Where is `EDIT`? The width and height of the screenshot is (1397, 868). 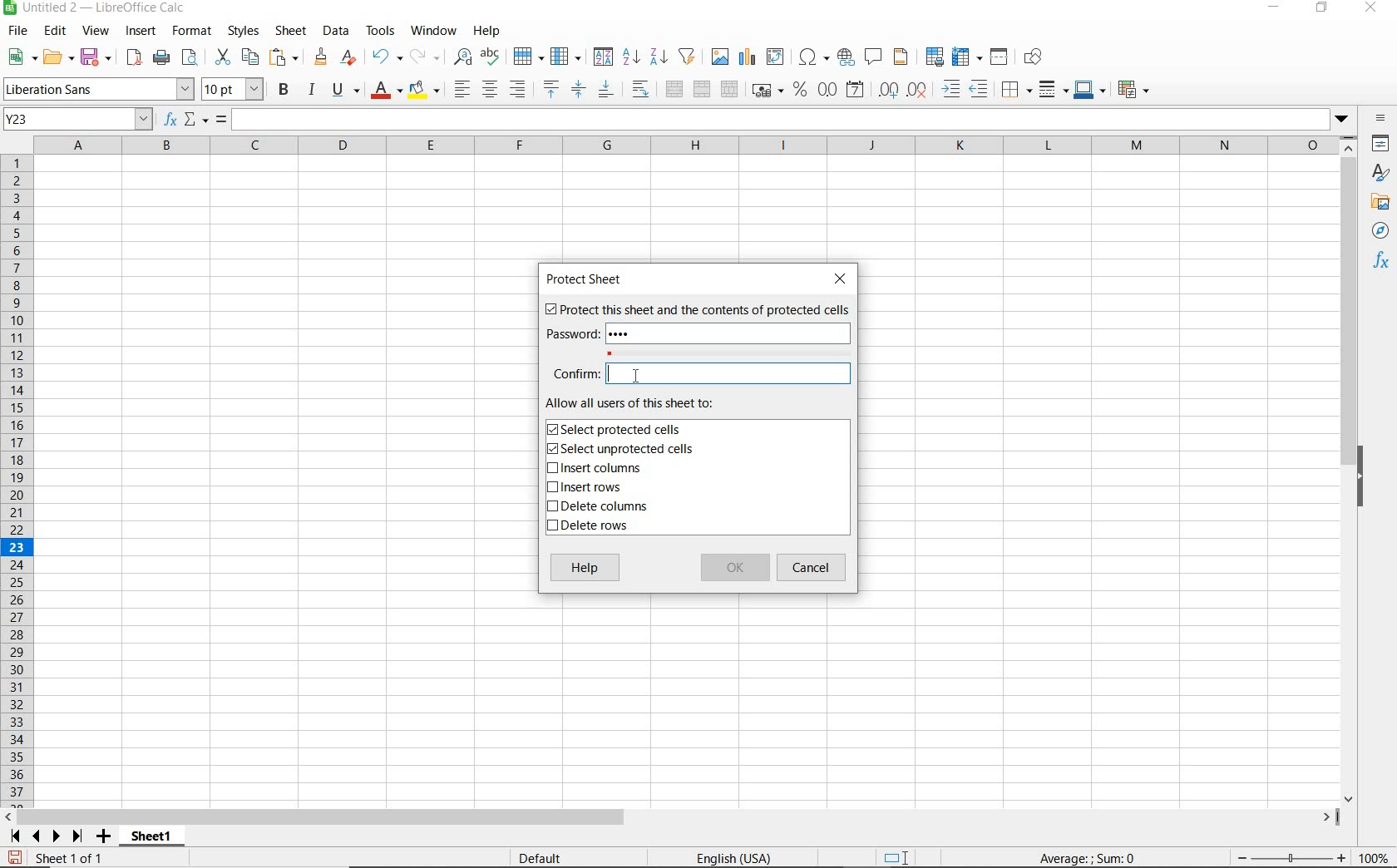 EDIT is located at coordinates (55, 31).